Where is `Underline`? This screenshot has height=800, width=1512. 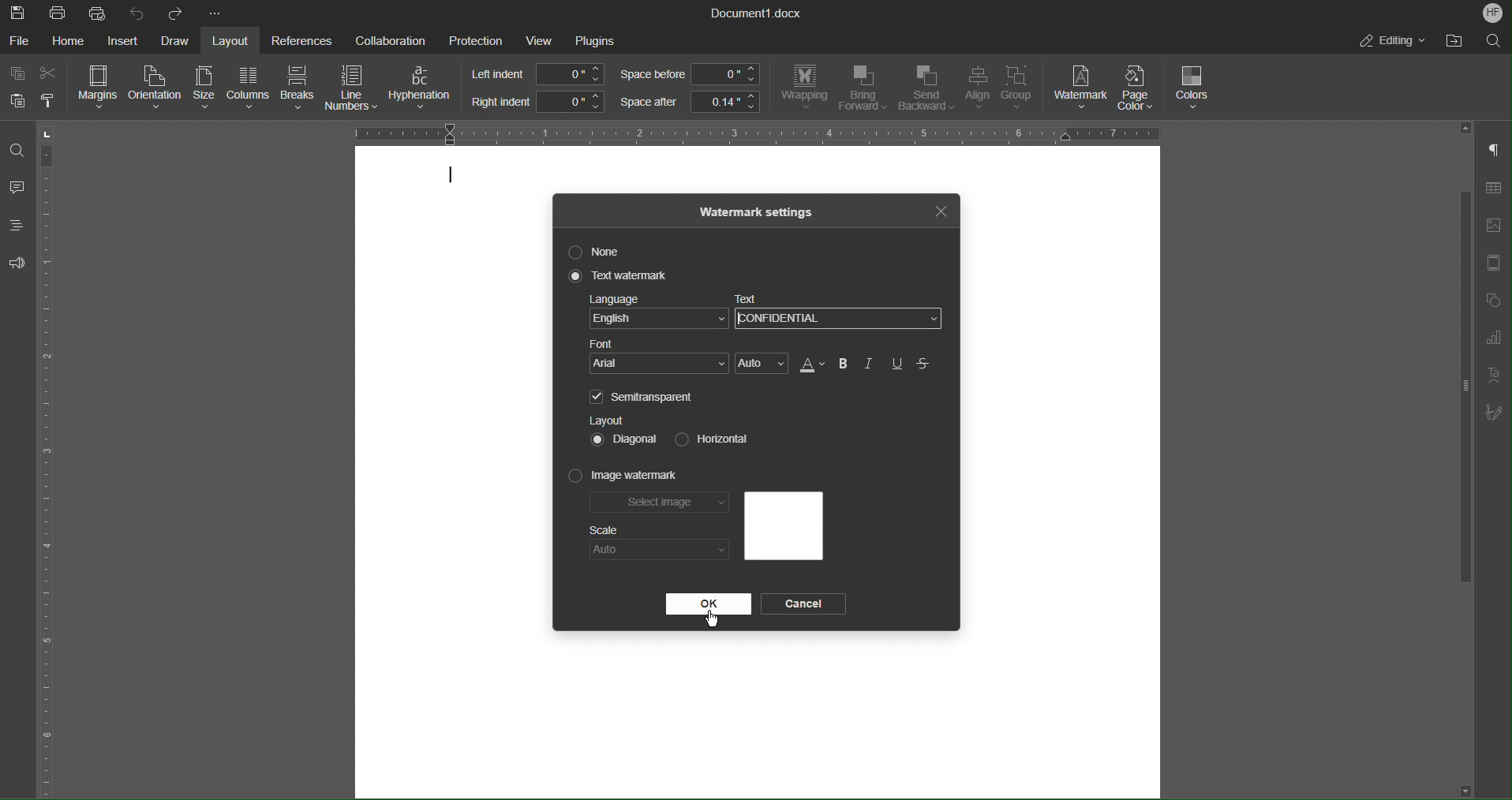 Underline is located at coordinates (898, 364).